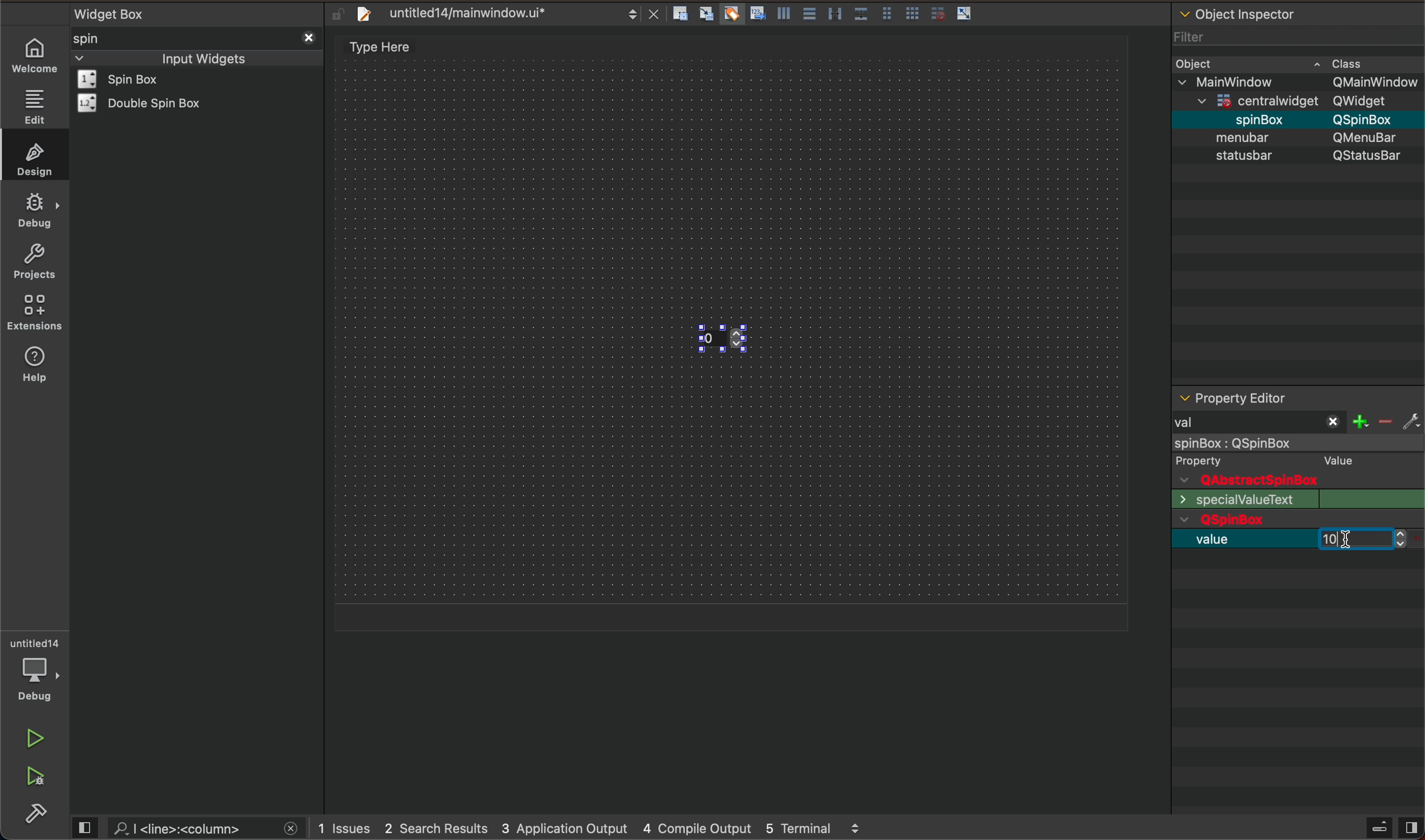 The image size is (1425, 840). I want to click on , so click(1369, 101).